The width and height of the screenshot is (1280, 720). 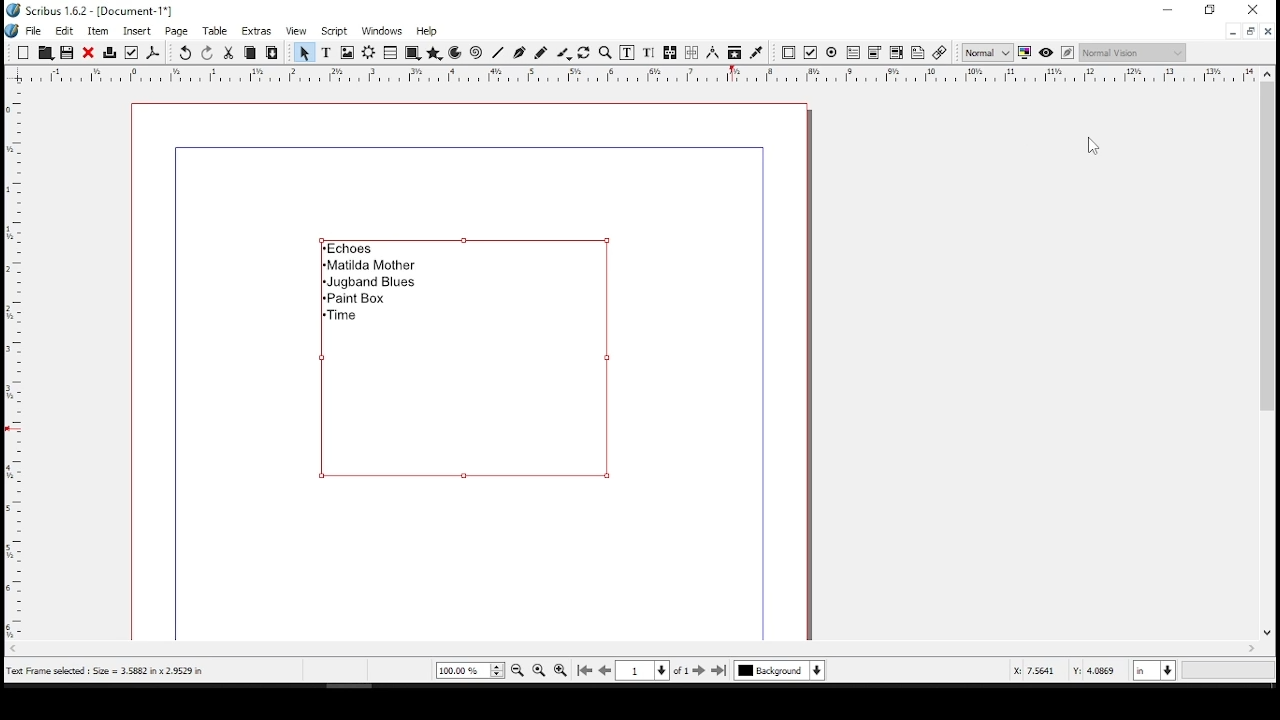 What do you see at coordinates (517, 670) in the screenshot?
I see `zoom out` at bounding box center [517, 670].